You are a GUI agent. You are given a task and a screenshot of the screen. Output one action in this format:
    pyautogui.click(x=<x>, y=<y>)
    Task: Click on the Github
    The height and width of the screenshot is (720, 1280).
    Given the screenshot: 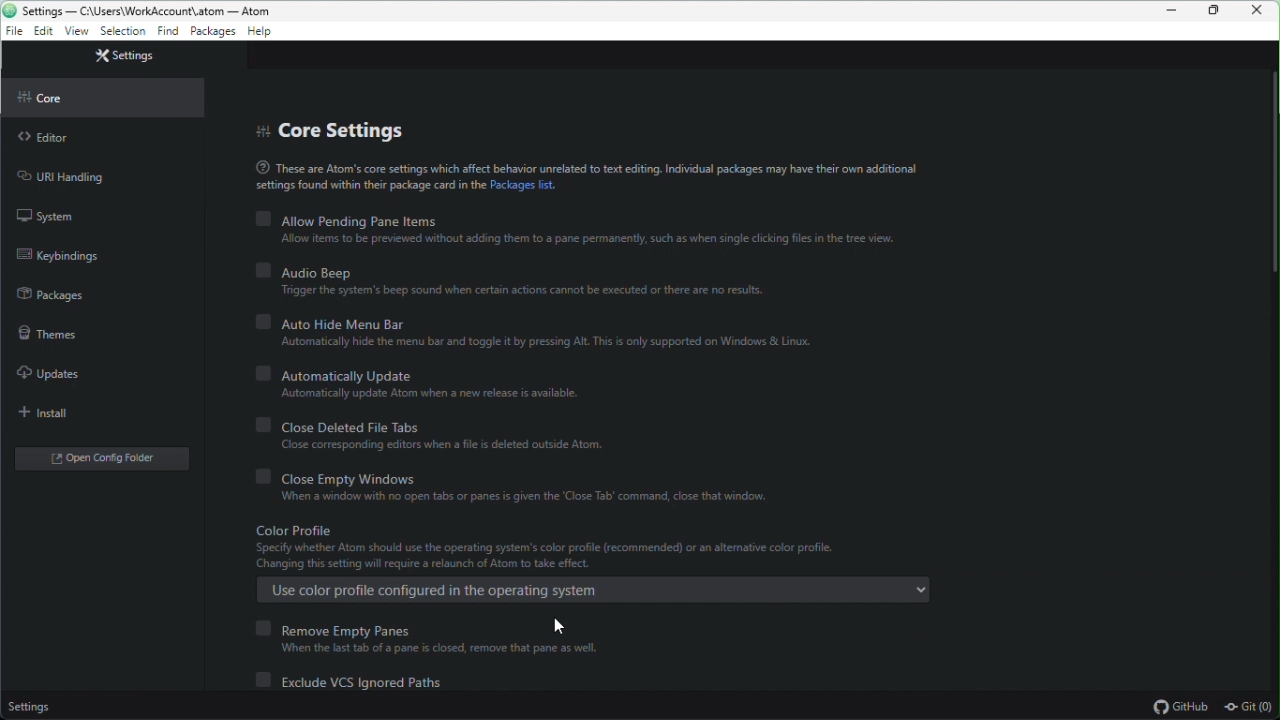 What is the action you would take?
    pyautogui.click(x=1179, y=707)
    